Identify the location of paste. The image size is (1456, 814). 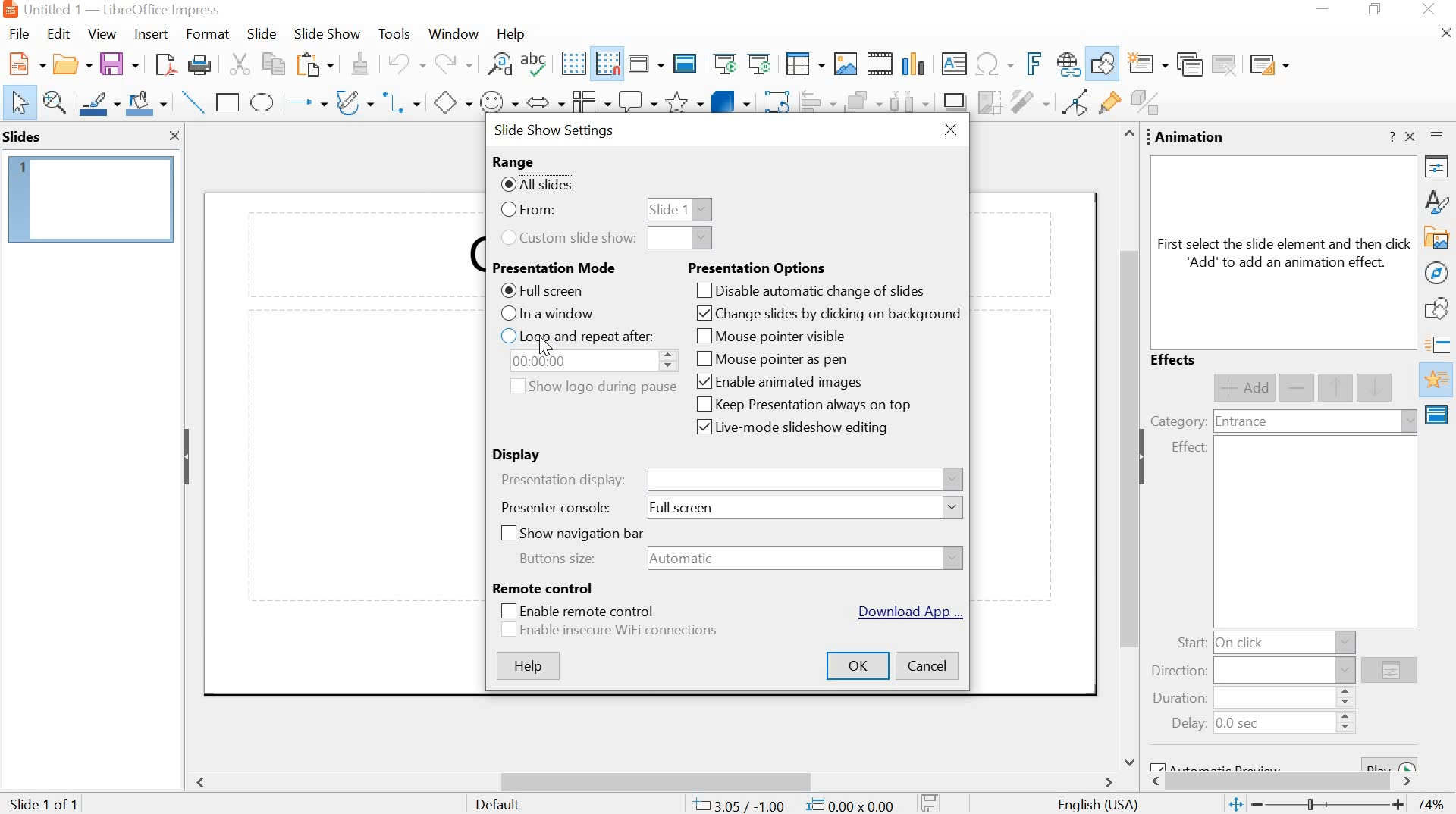
(313, 66).